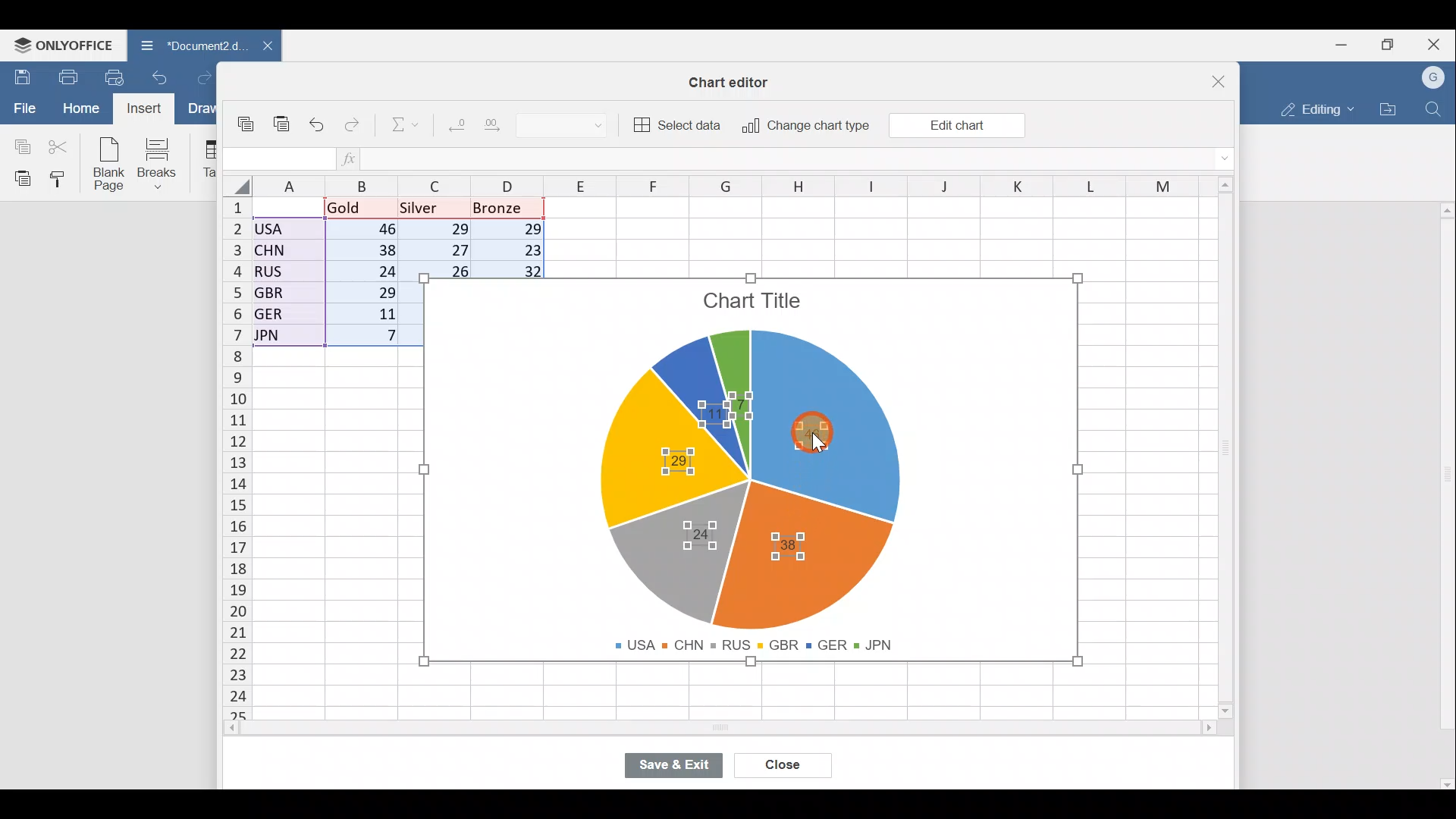 This screenshot has width=1456, height=819. I want to click on Chart label, so click(740, 395).